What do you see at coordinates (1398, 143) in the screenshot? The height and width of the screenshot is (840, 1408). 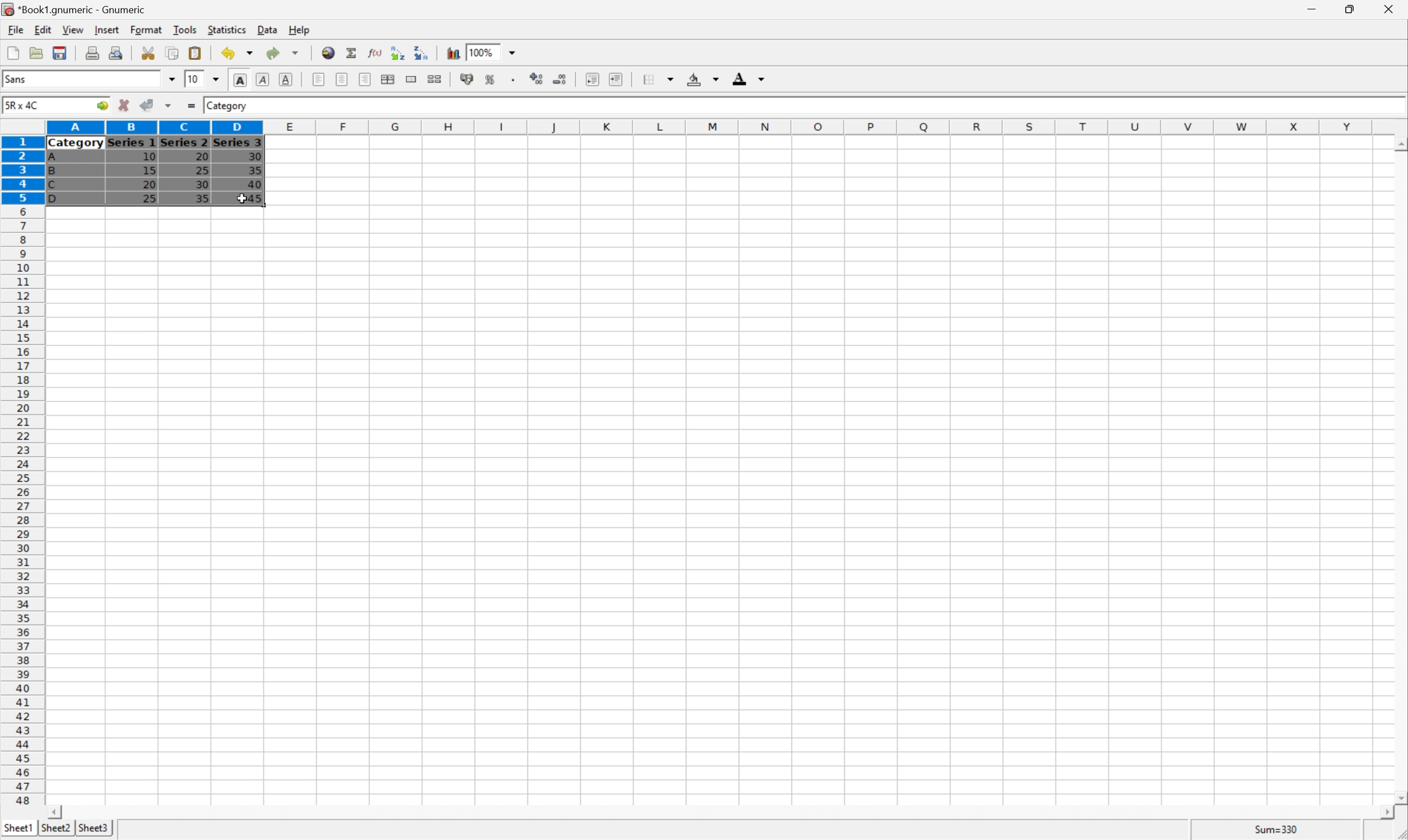 I see `Scroll Up` at bounding box center [1398, 143].